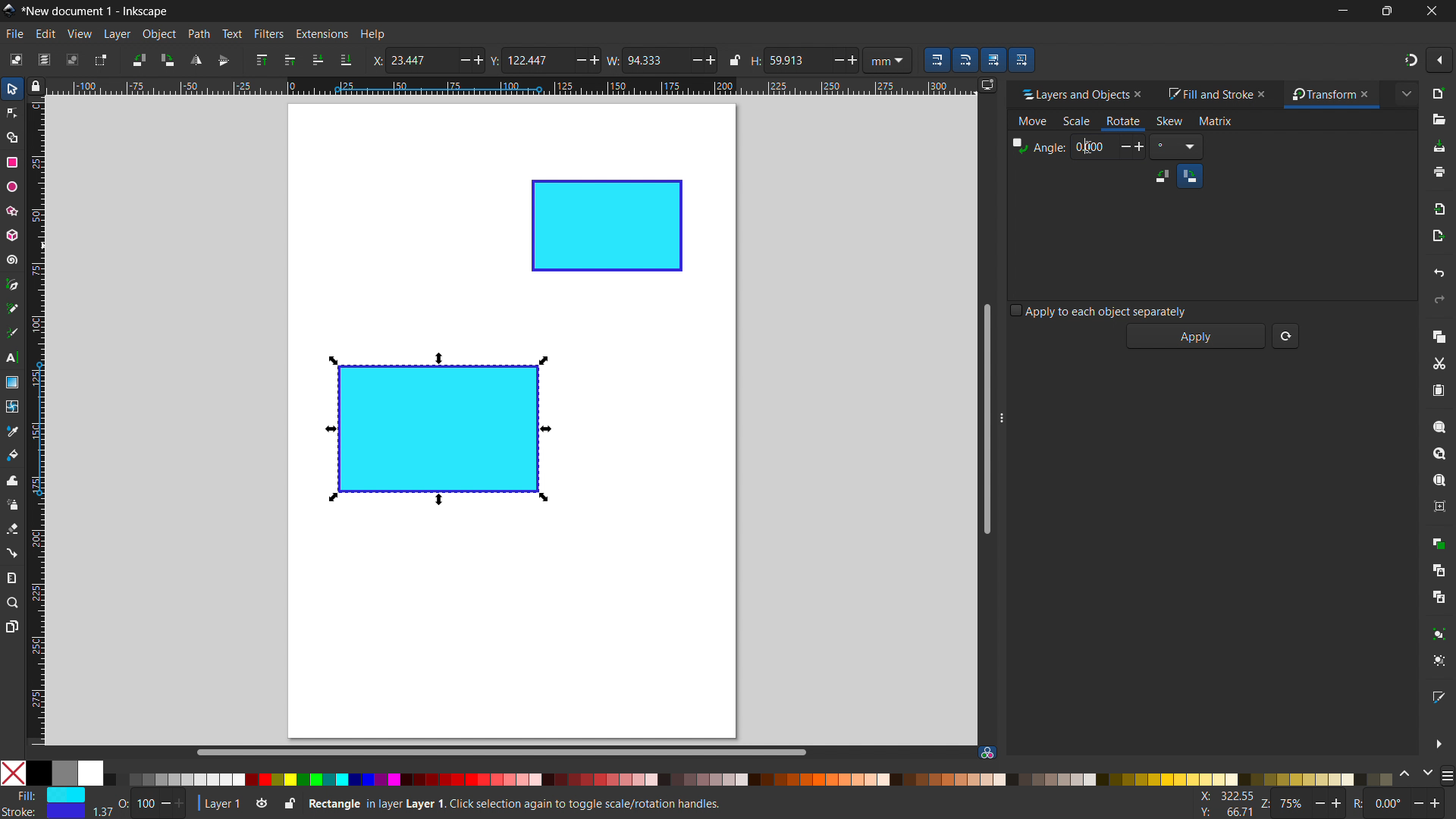 Image resolution: width=1456 pixels, height=819 pixels. What do you see at coordinates (1319, 95) in the screenshot?
I see `transform` at bounding box center [1319, 95].